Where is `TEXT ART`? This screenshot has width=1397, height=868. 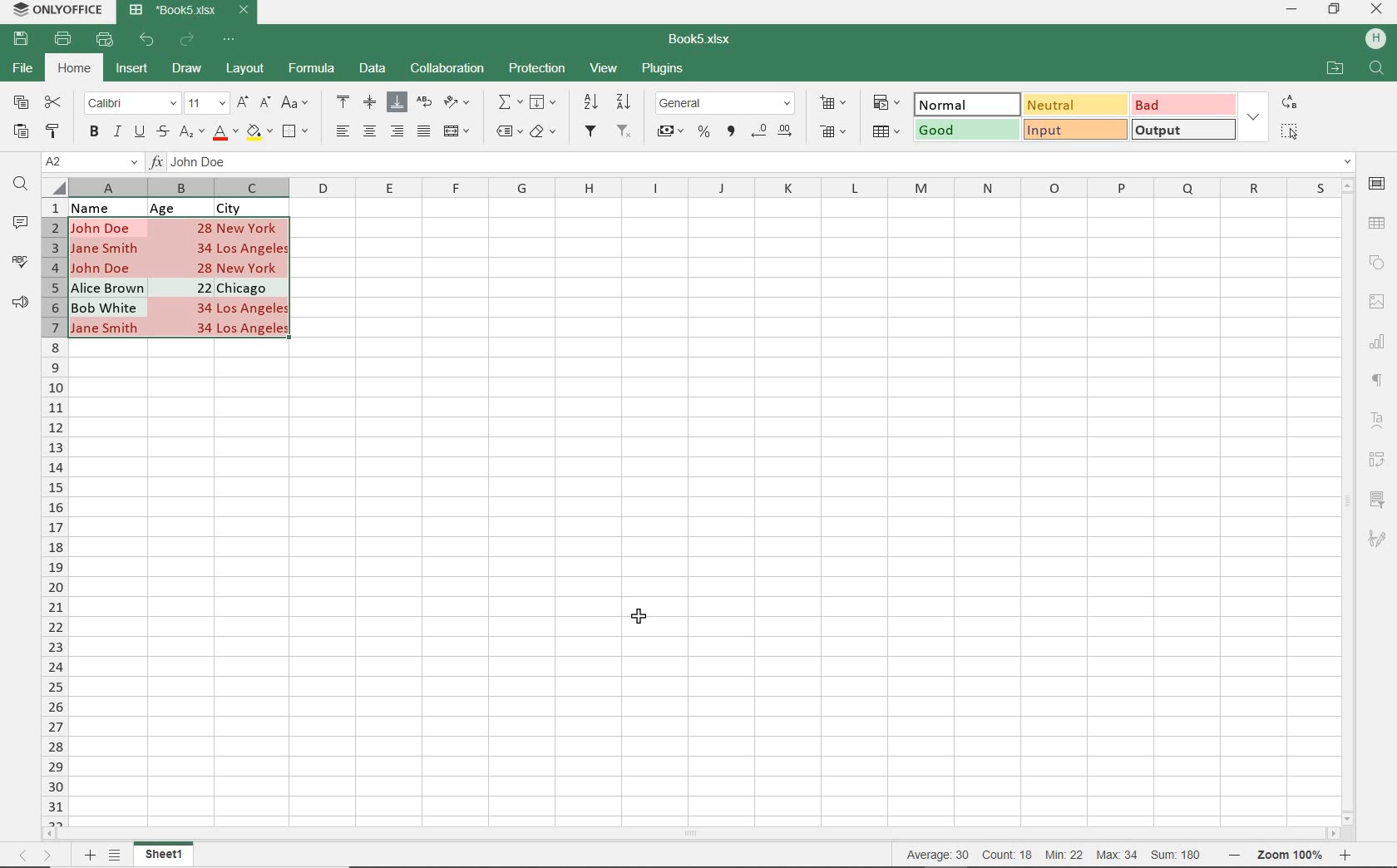
TEXT ART is located at coordinates (1379, 422).